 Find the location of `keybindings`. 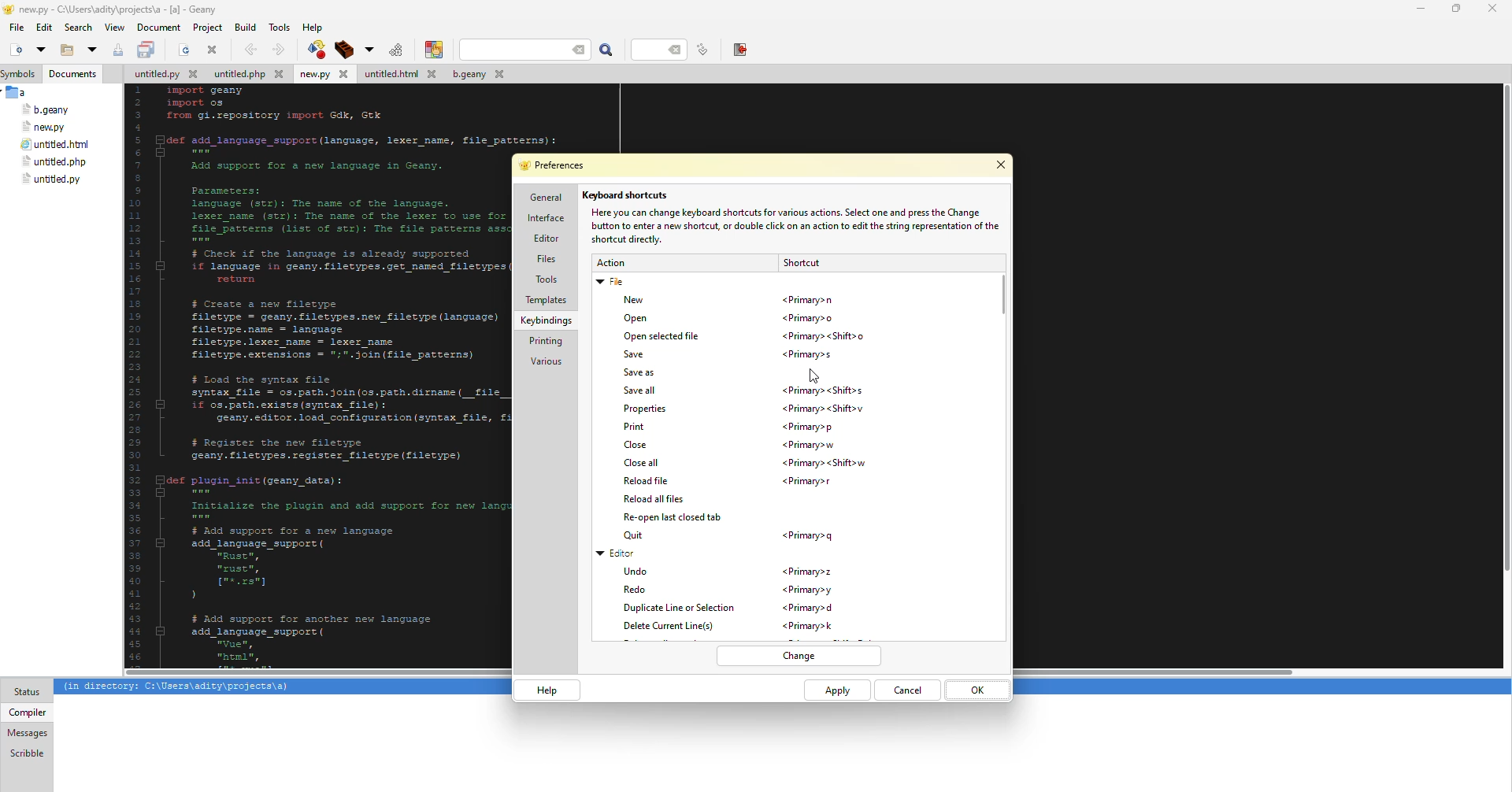

keybindings is located at coordinates (547, 320).